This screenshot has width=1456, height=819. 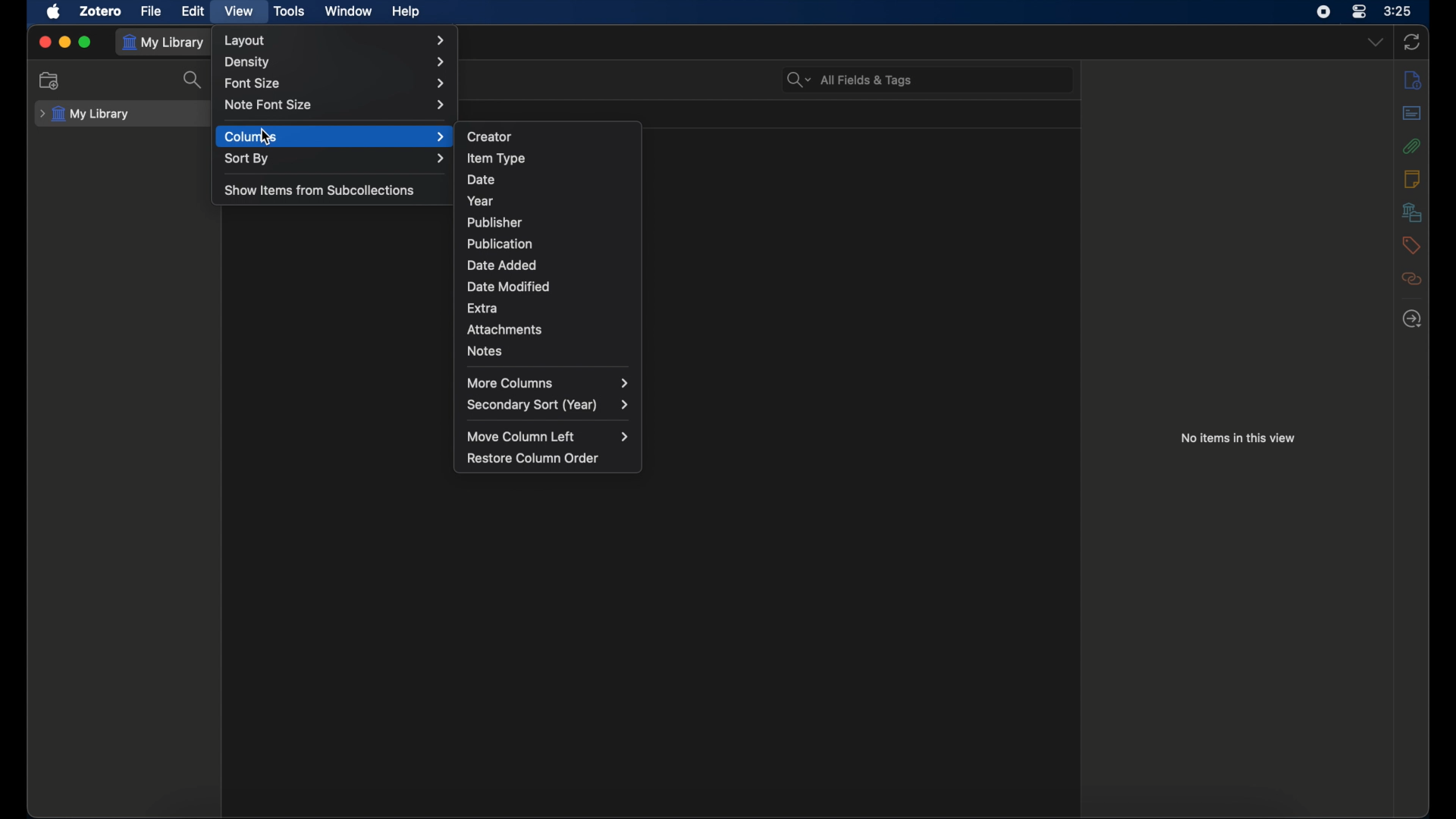 What do you see at coordinates (1414, 278) in the screenshot?
I see `related` at bounding box center [1414, 278].